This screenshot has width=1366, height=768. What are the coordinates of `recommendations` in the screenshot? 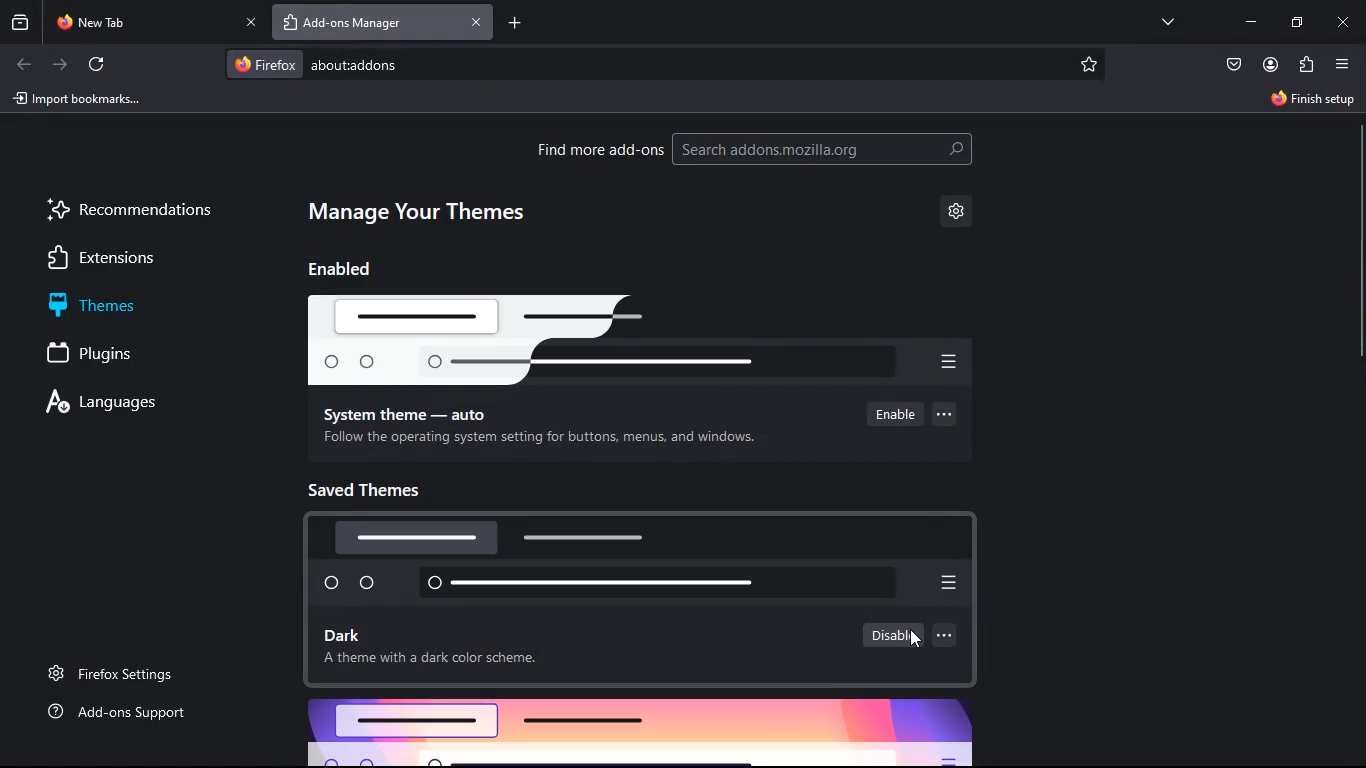 It's located at (133, 210).